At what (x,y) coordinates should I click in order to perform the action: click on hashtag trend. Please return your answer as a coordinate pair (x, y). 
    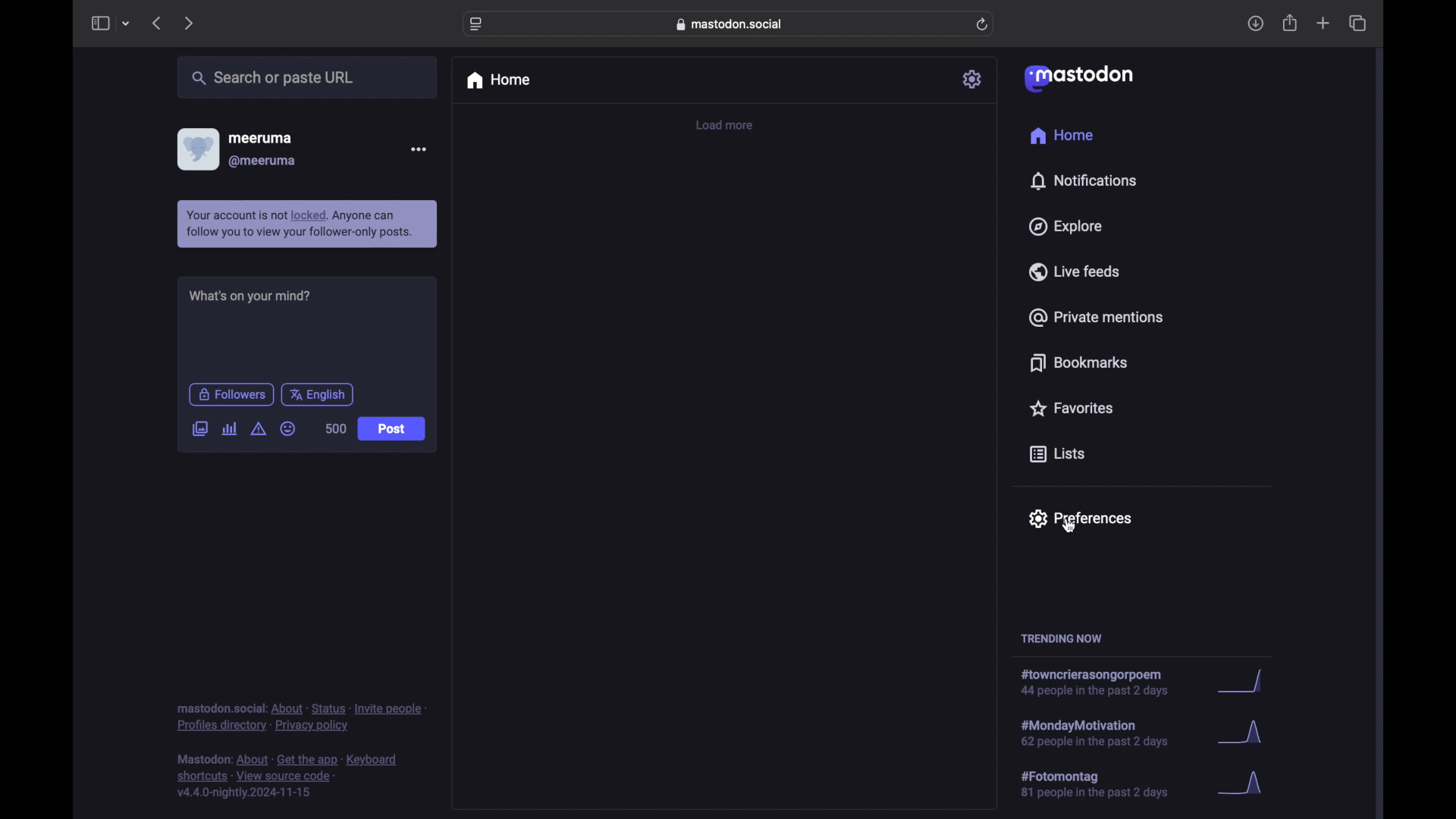
    Looking at the image, I should click on (1143, 732).